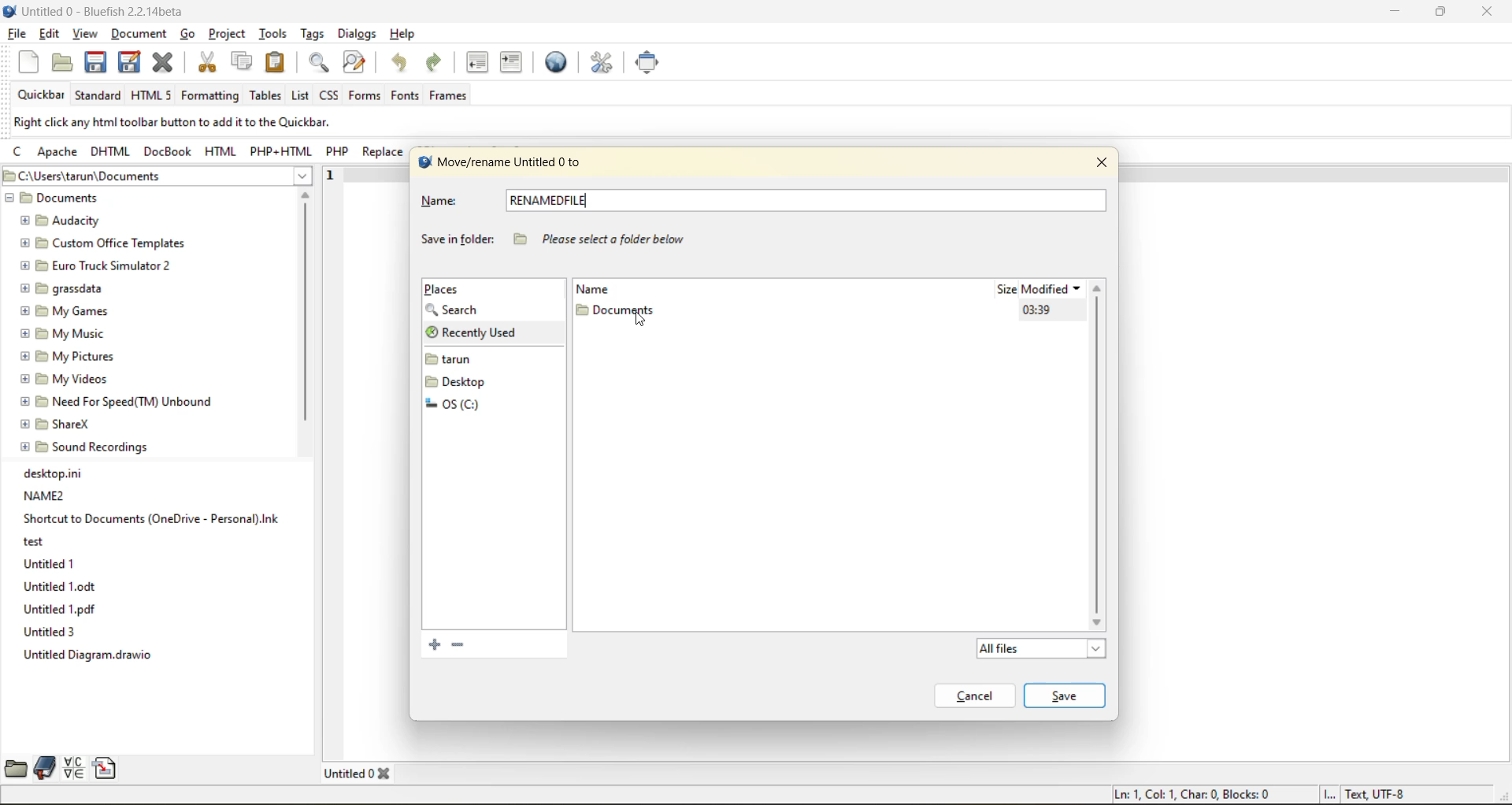 Image resolution: width=1512 pixels, height=805 pixels. I want to click on My Music, so click(67, 334).